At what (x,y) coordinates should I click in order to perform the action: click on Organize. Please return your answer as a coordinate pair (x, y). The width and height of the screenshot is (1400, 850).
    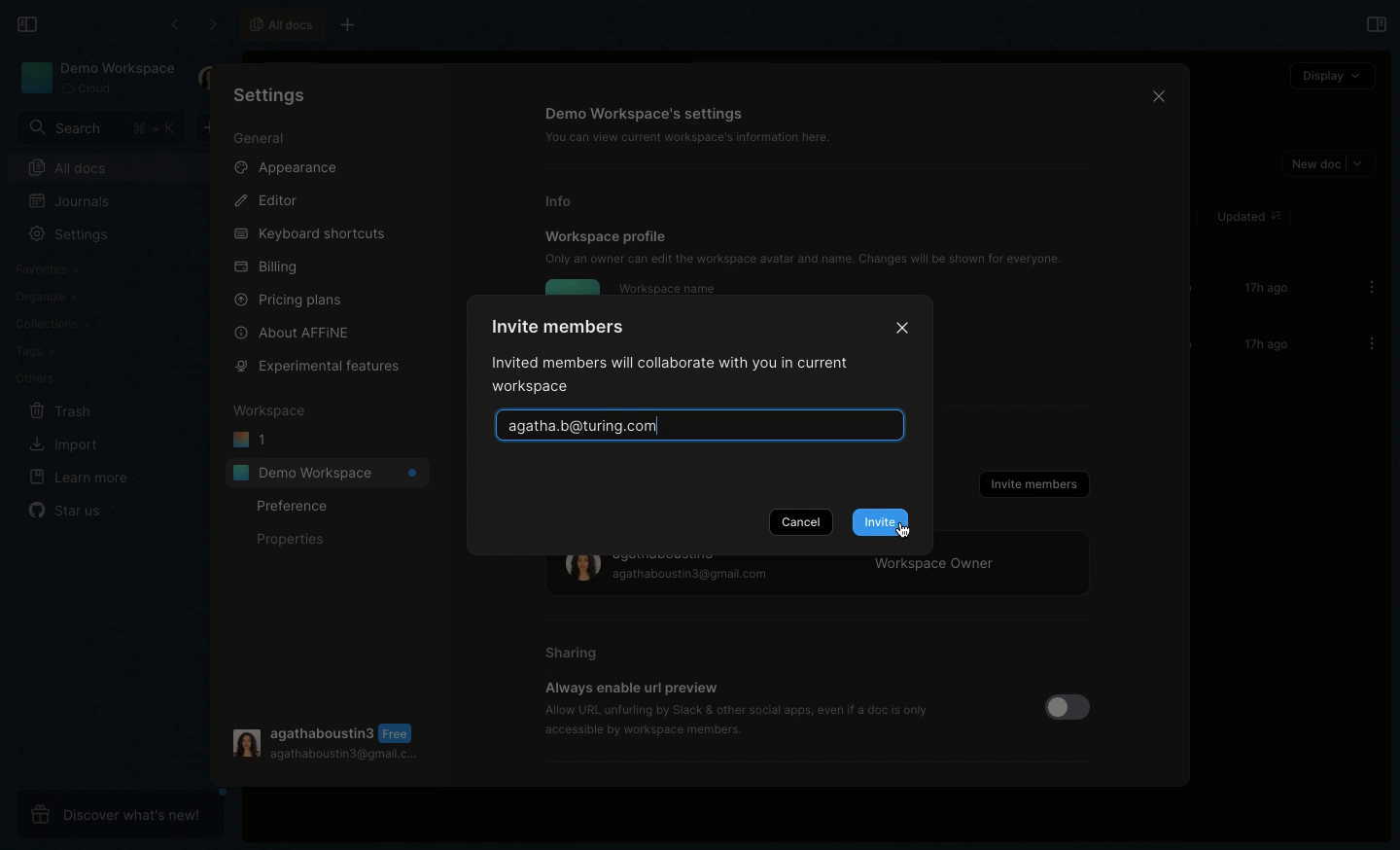
    Looking at the image, I should click on (45, 295).